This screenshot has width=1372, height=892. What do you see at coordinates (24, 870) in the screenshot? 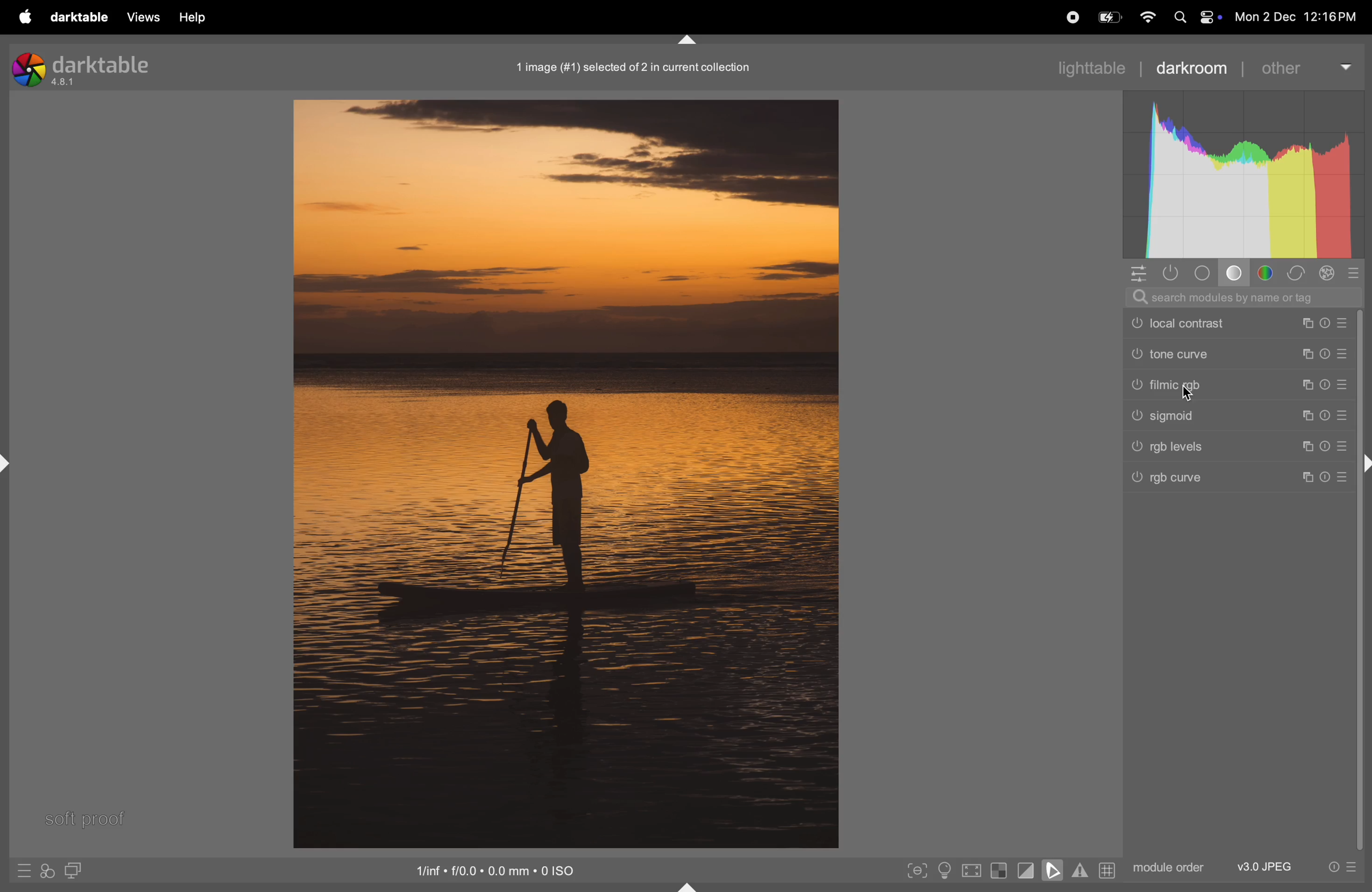
I see `quick acess to presets` at bounding box center [24, 870].